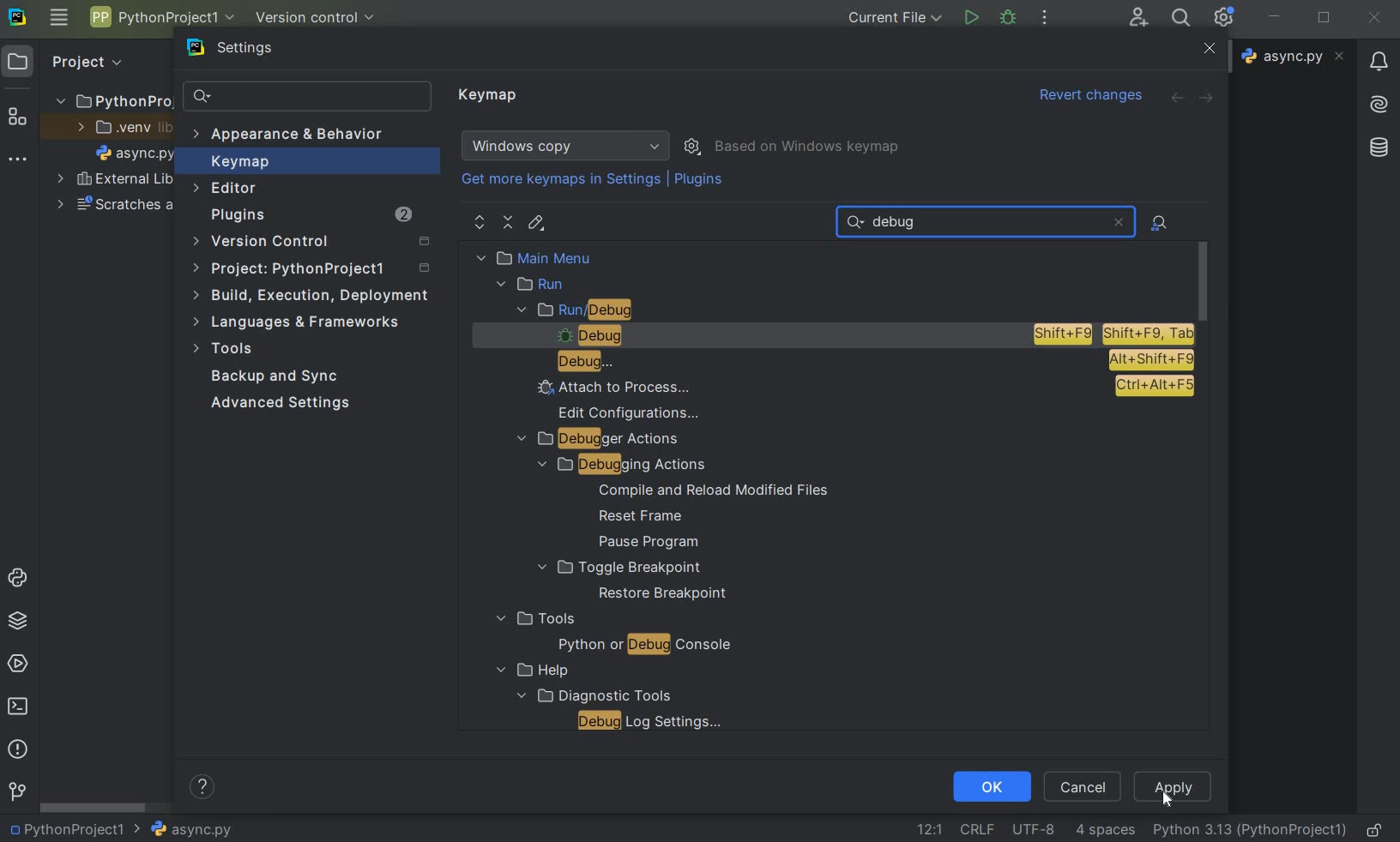 This screenshot has width=1400, height=842. I want to click on back, so click(1176, 98).